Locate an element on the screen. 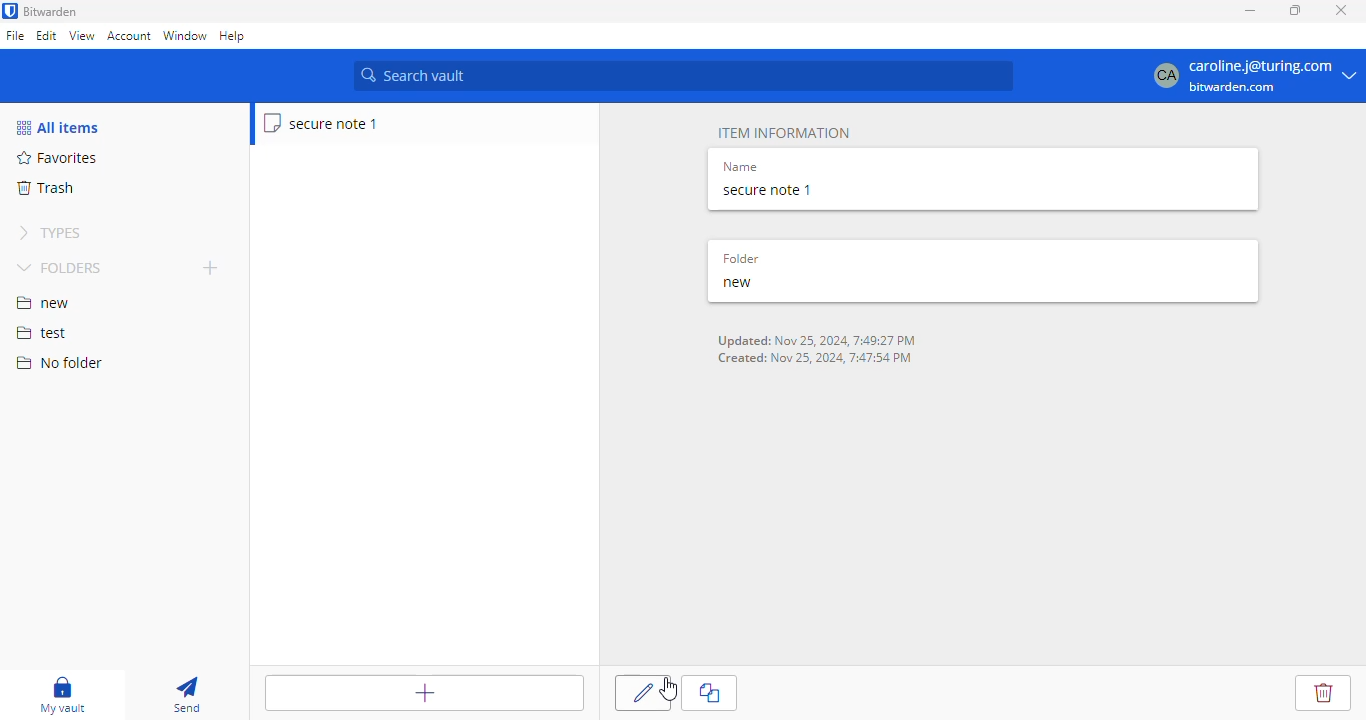 This screenshot has width=1366, height=720. name is located at coordinates (741, 166).